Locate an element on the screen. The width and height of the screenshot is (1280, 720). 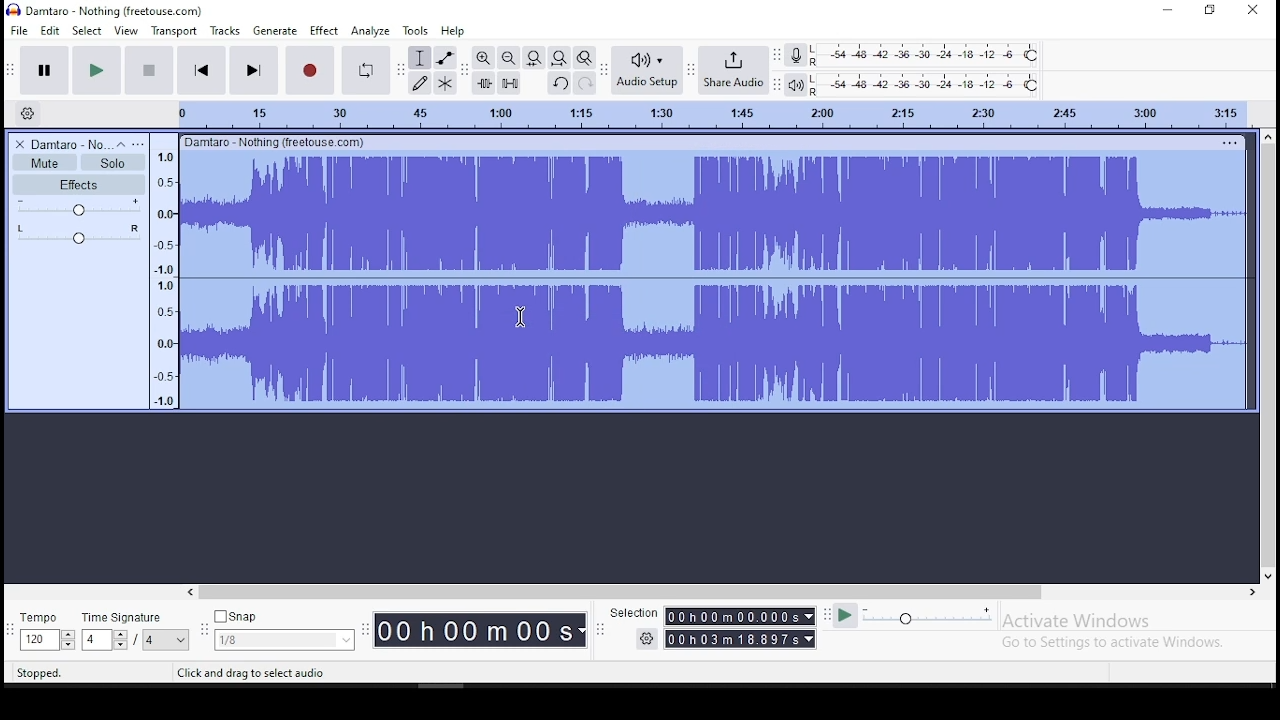
file is located at coordinates (18, 29).